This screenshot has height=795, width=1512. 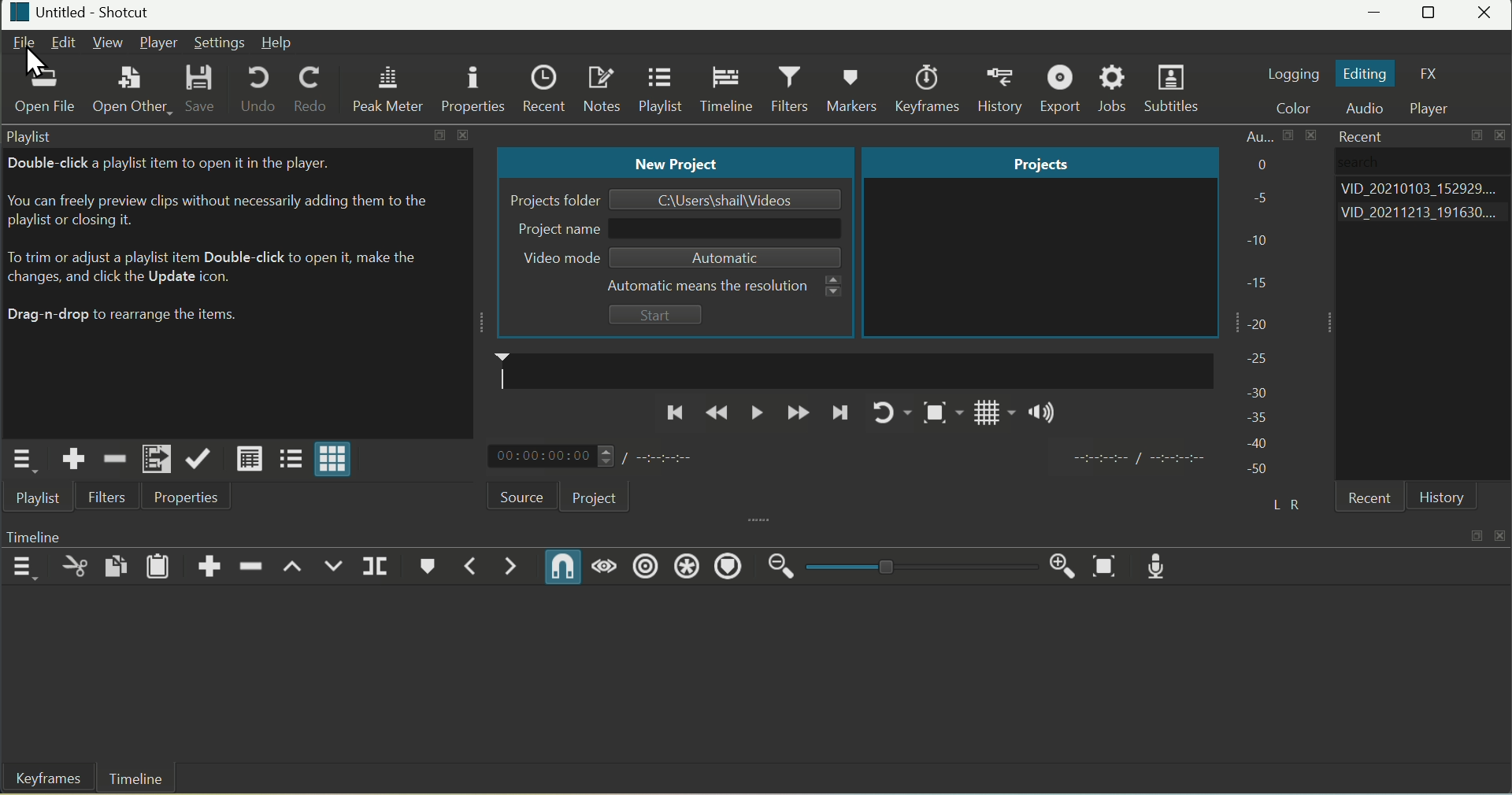 I want to click on Keyframes, so click(x=43, y=780).